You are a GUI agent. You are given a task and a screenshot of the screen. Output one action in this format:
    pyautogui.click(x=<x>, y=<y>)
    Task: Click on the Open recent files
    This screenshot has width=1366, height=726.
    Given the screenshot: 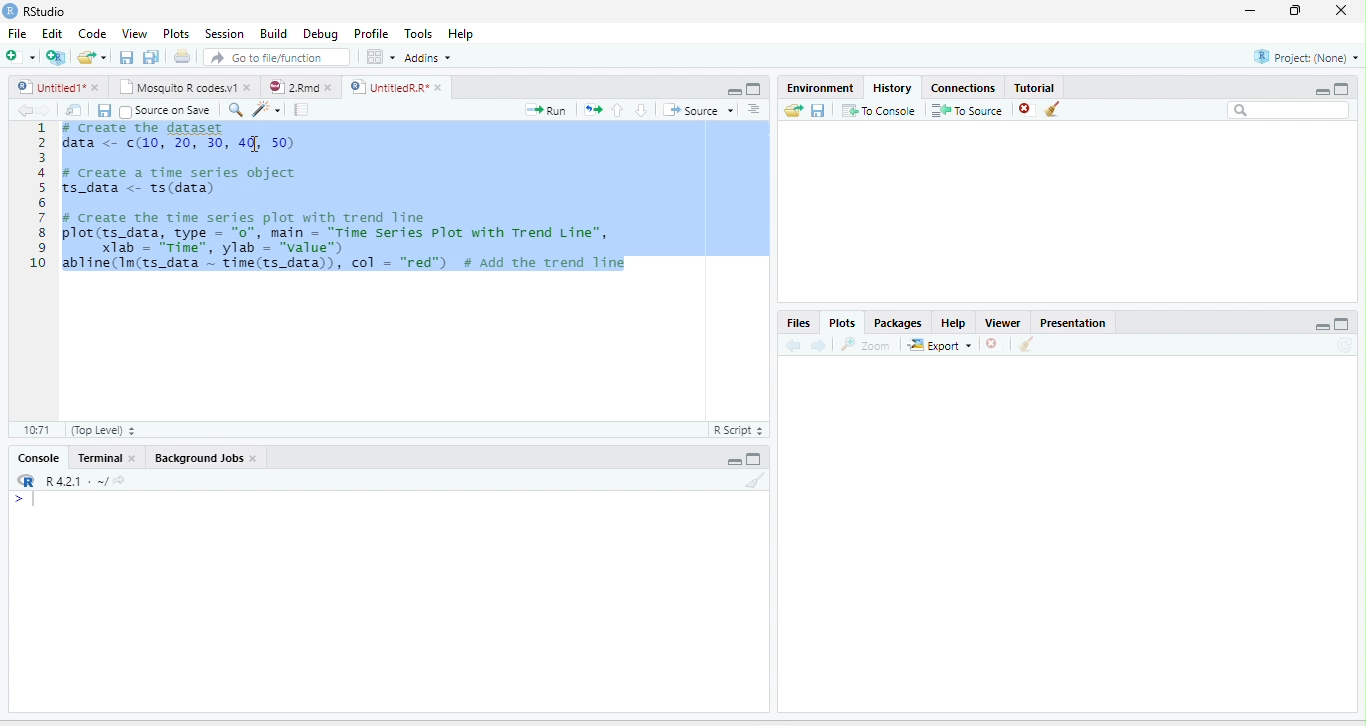 What is the action you would take?
    pyautogui.click(x=104, y=57)
    